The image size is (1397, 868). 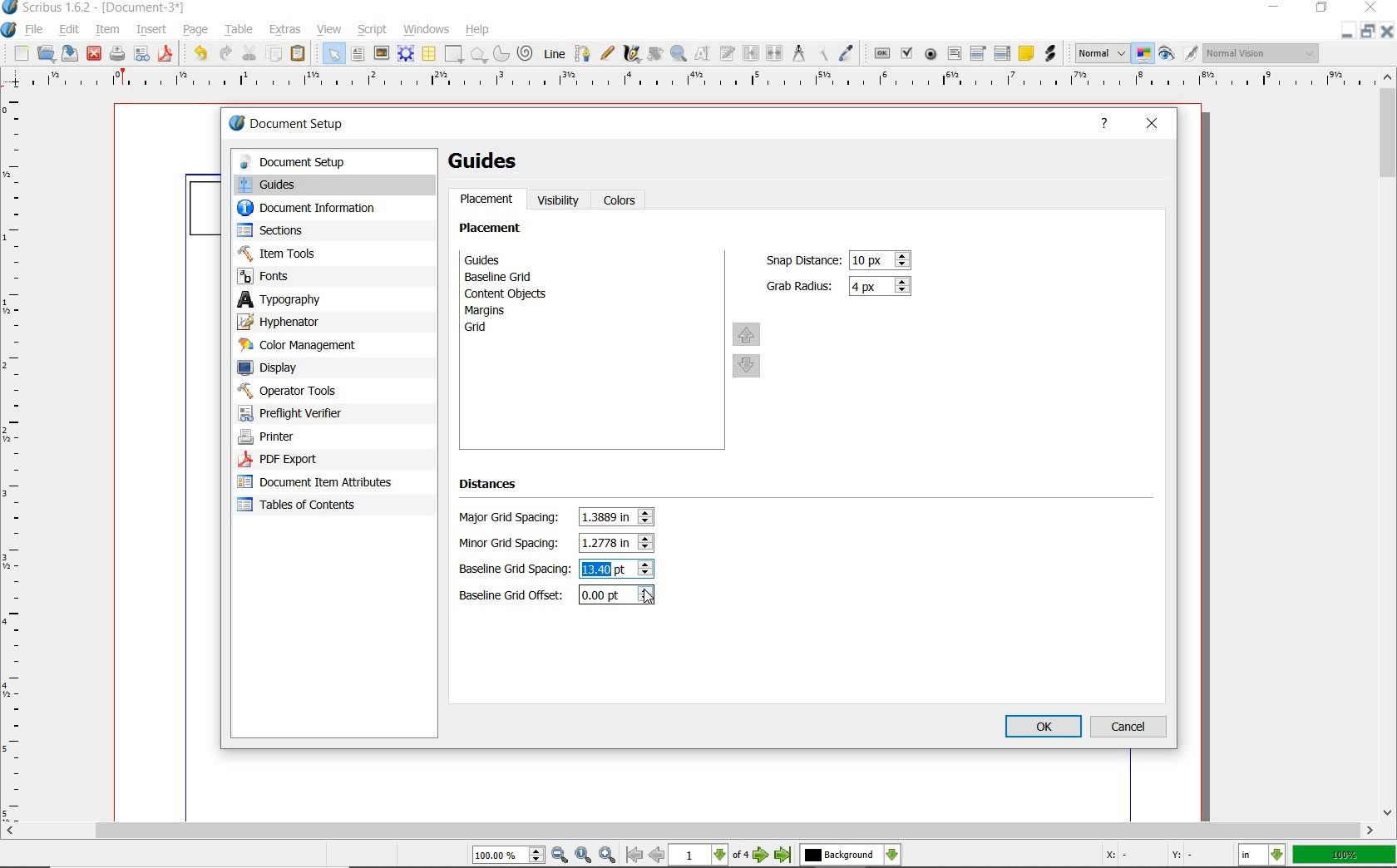 I want to click on Baseline Grid Offset, so click(x=615, y=596).